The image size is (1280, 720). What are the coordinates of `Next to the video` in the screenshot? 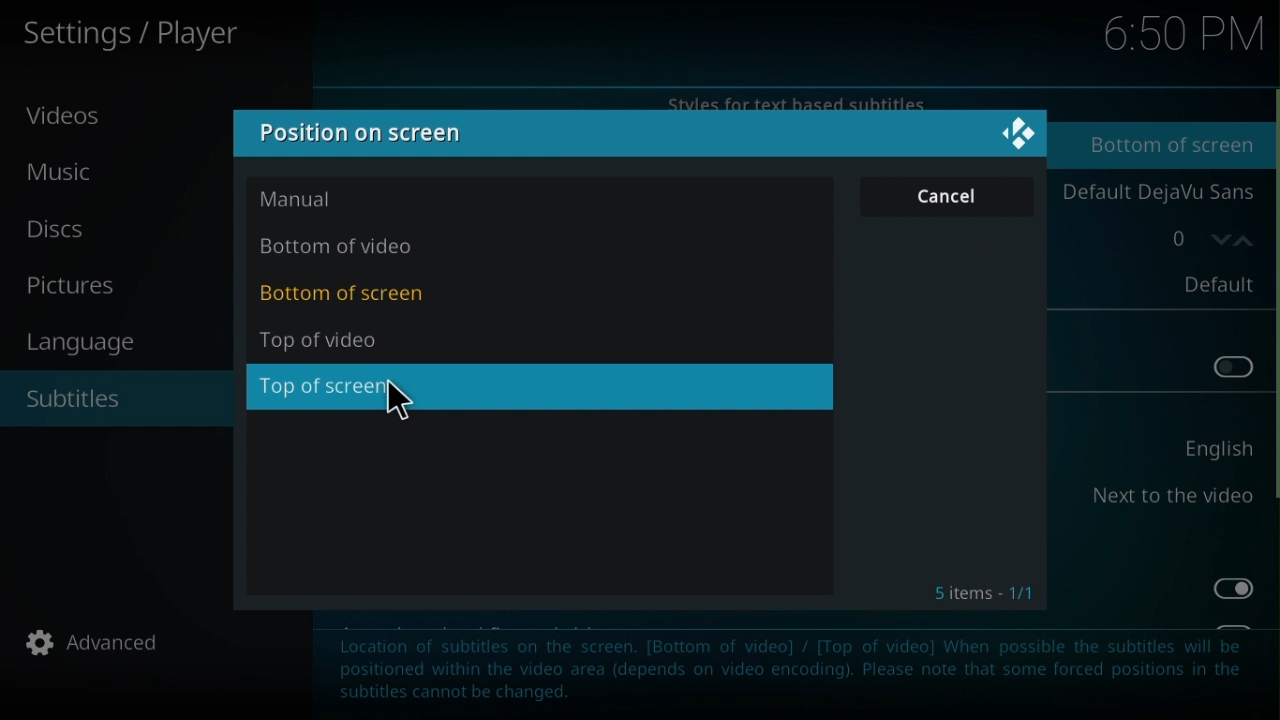 It's located at (1170, 497).